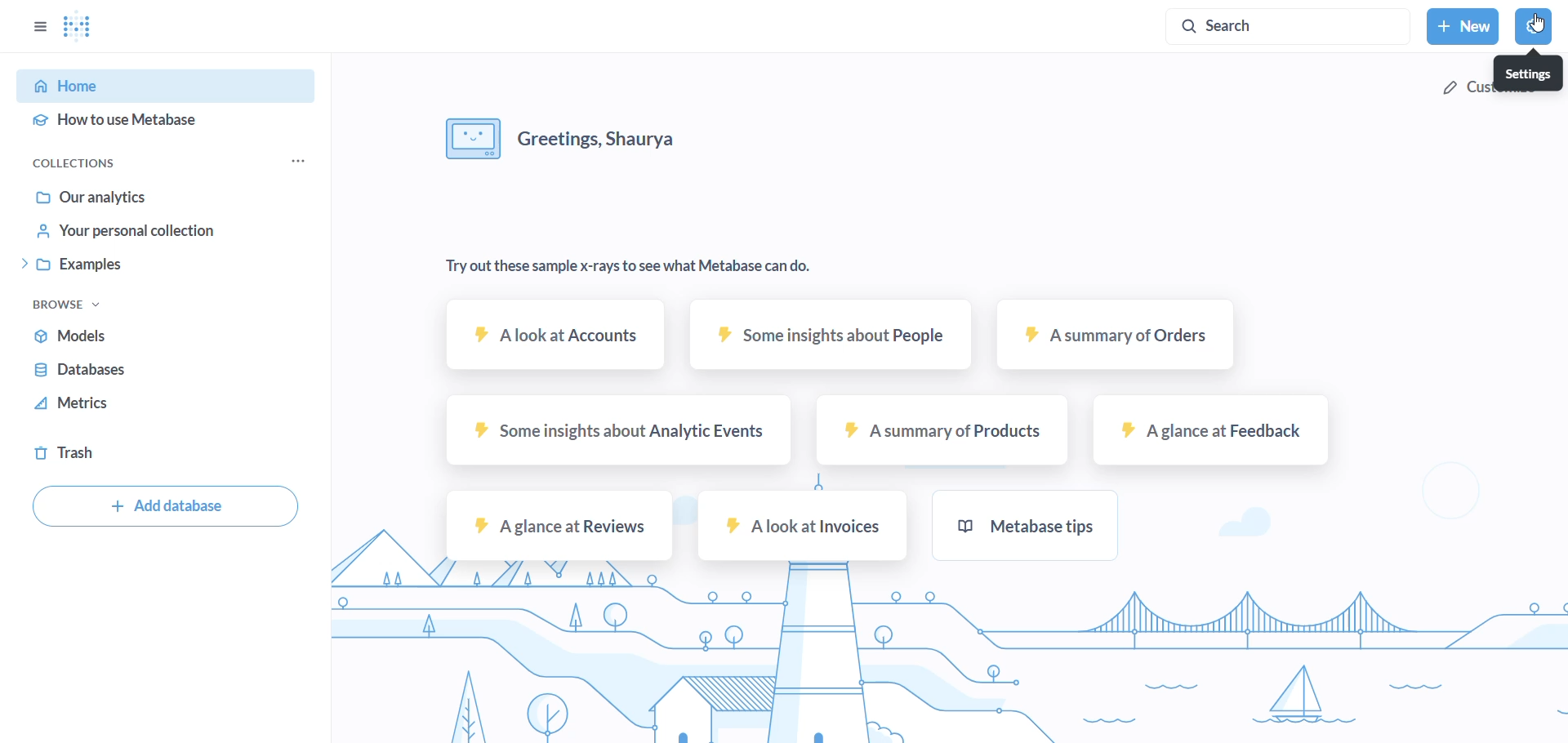  Describe the element at coordinates (85, 404) in the screenshot. I see `metrics` at that location.